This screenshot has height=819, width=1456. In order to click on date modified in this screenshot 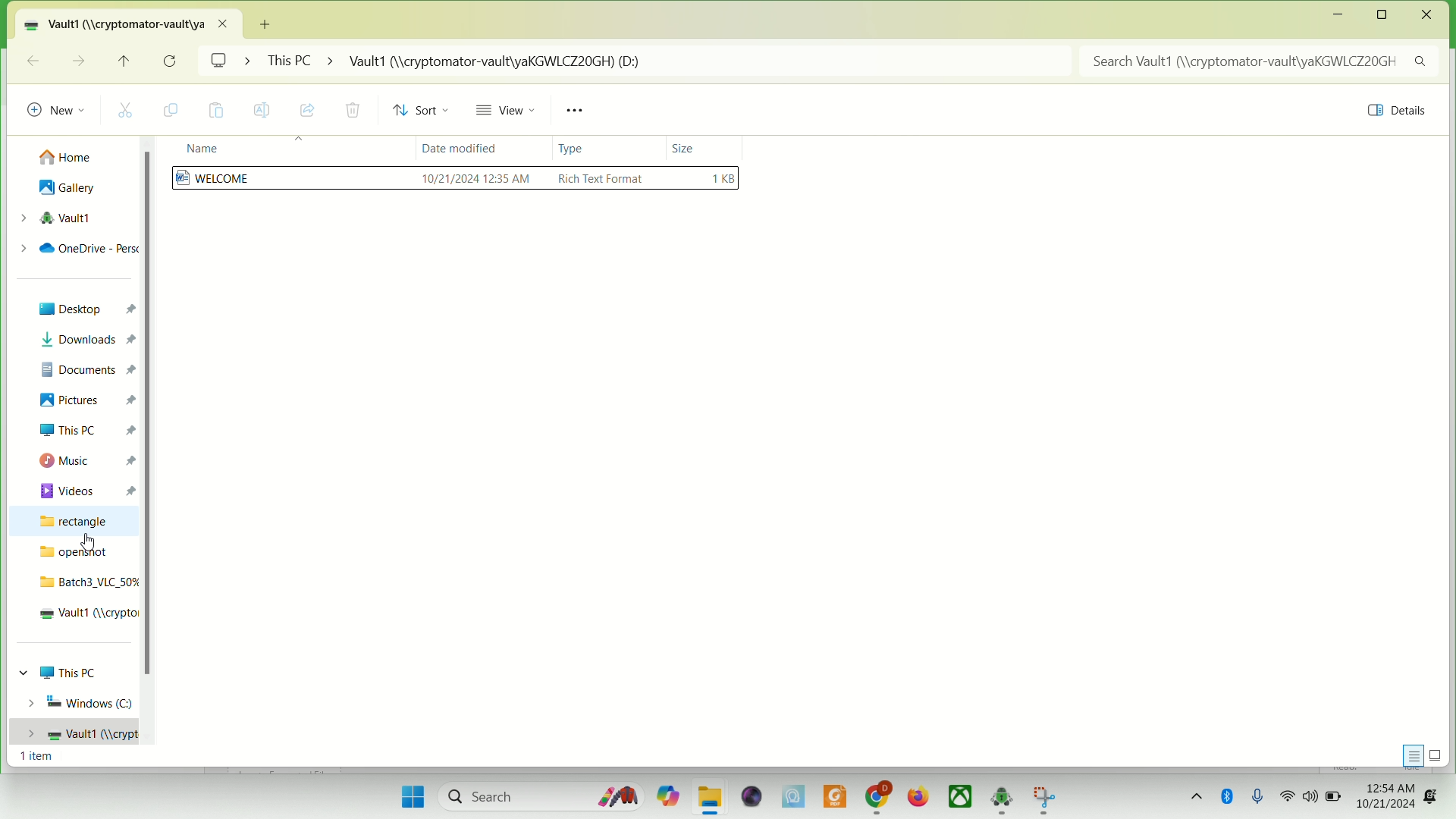, I will do `click(457, 151)`.